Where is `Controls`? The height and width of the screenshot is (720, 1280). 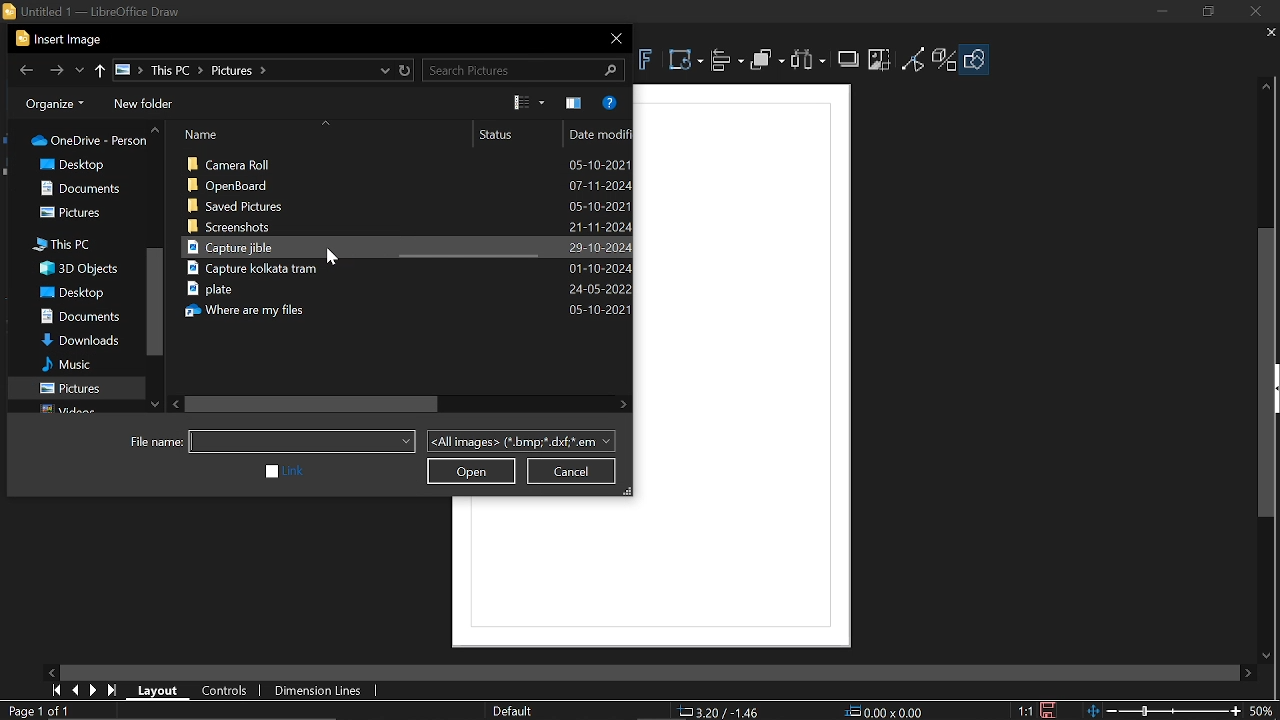 Controls is located at coordinates (226, 690).